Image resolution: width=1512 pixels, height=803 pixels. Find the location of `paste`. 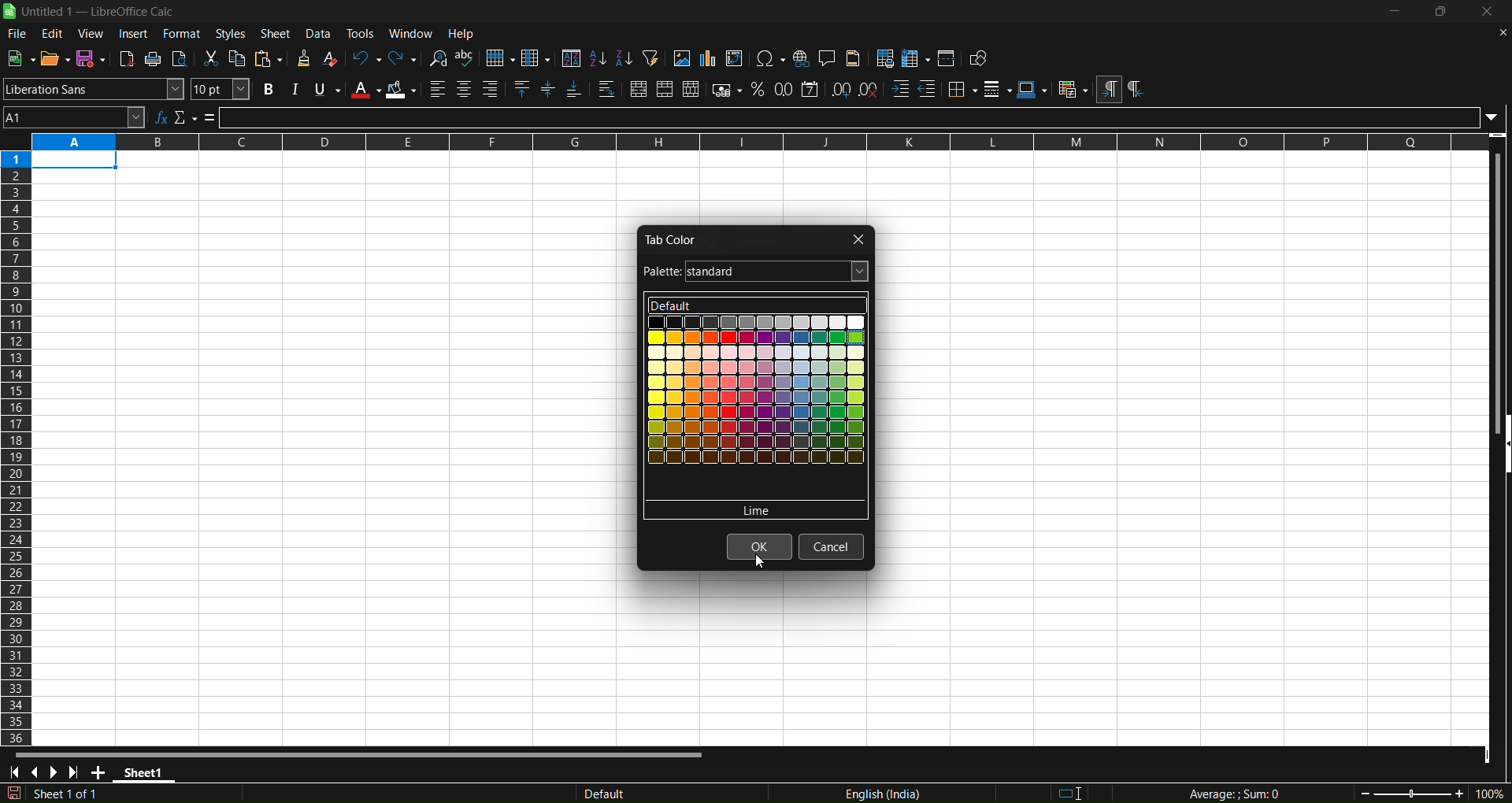

paste is located at coordinates (271, 59).